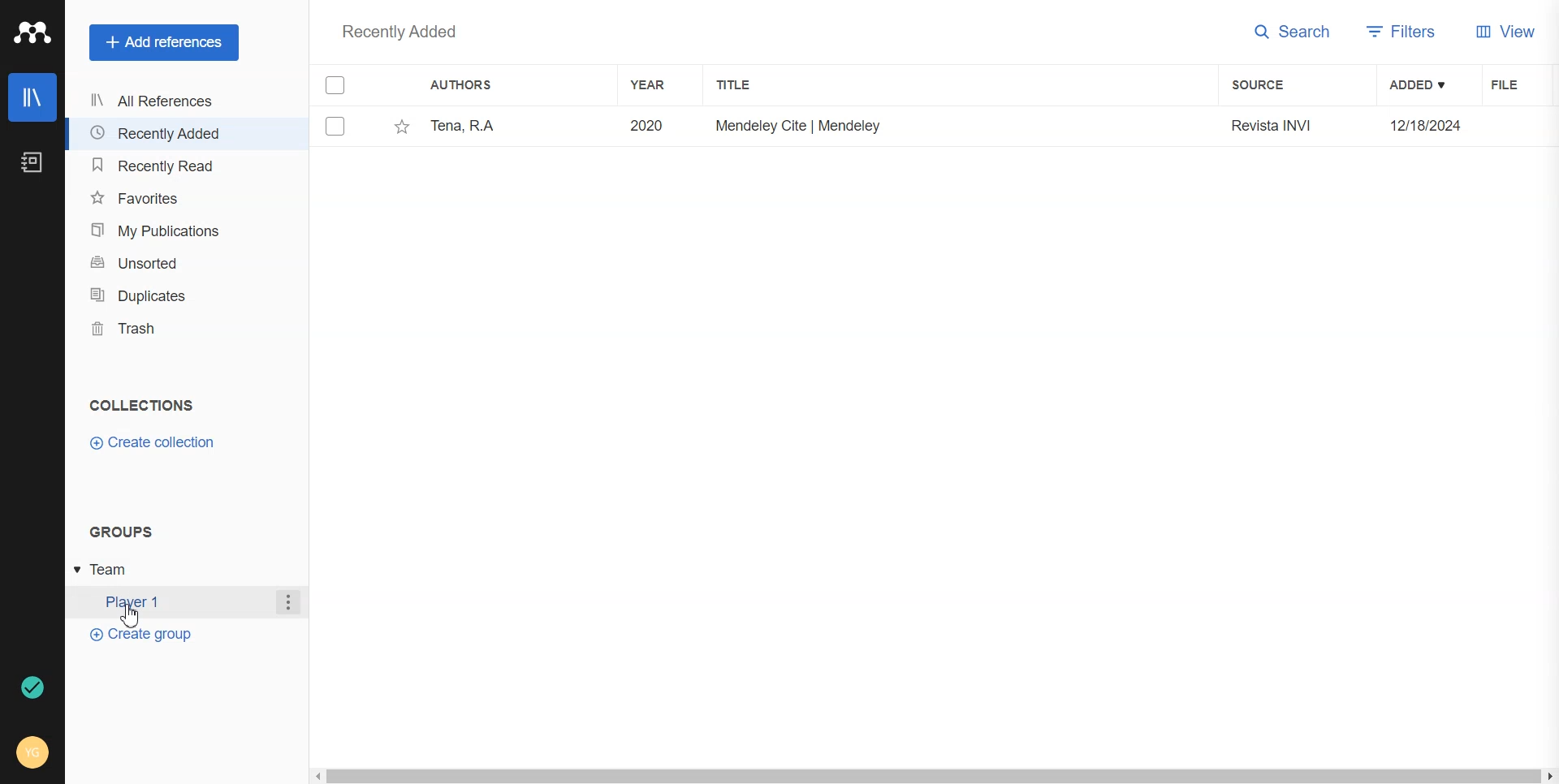  Describe the element at coordinates (467, 85) in the screenshot. I see `Authors` at that location.